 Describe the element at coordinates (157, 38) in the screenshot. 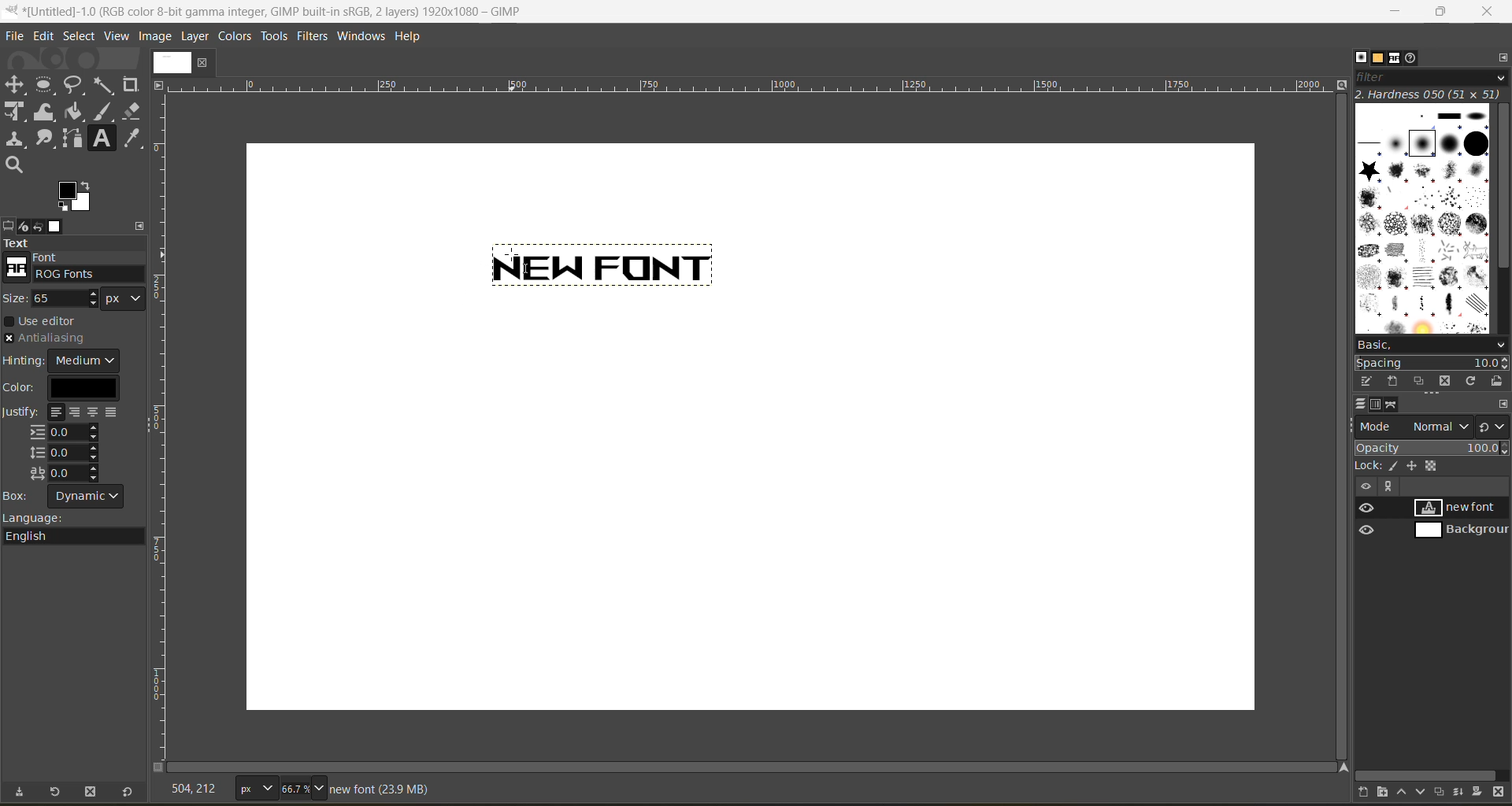

I see `image` at that location.